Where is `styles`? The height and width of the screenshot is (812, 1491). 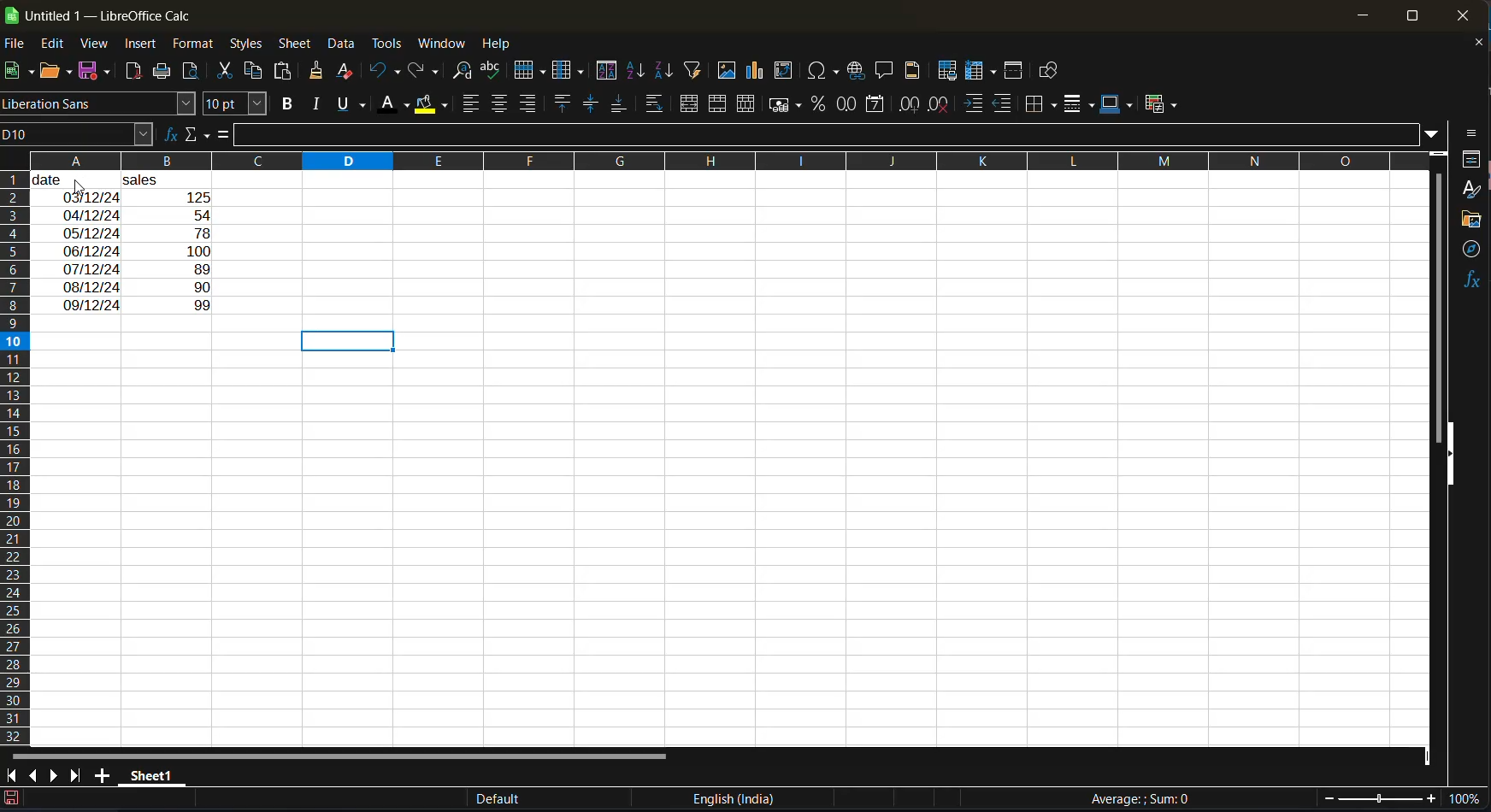
styles is located at coordinates (1471, 190).